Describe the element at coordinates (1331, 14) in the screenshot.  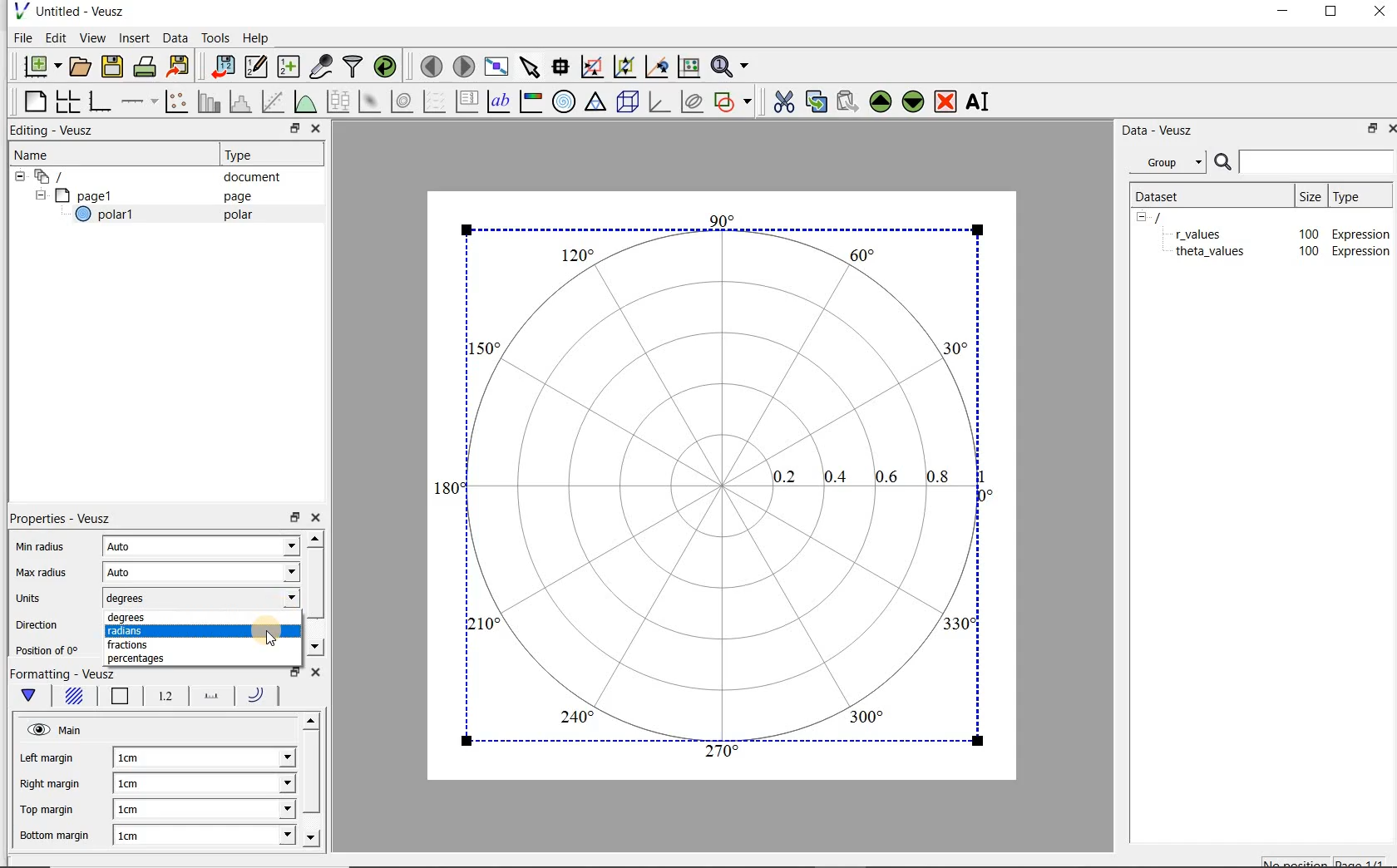
I see `maximize` at that location.